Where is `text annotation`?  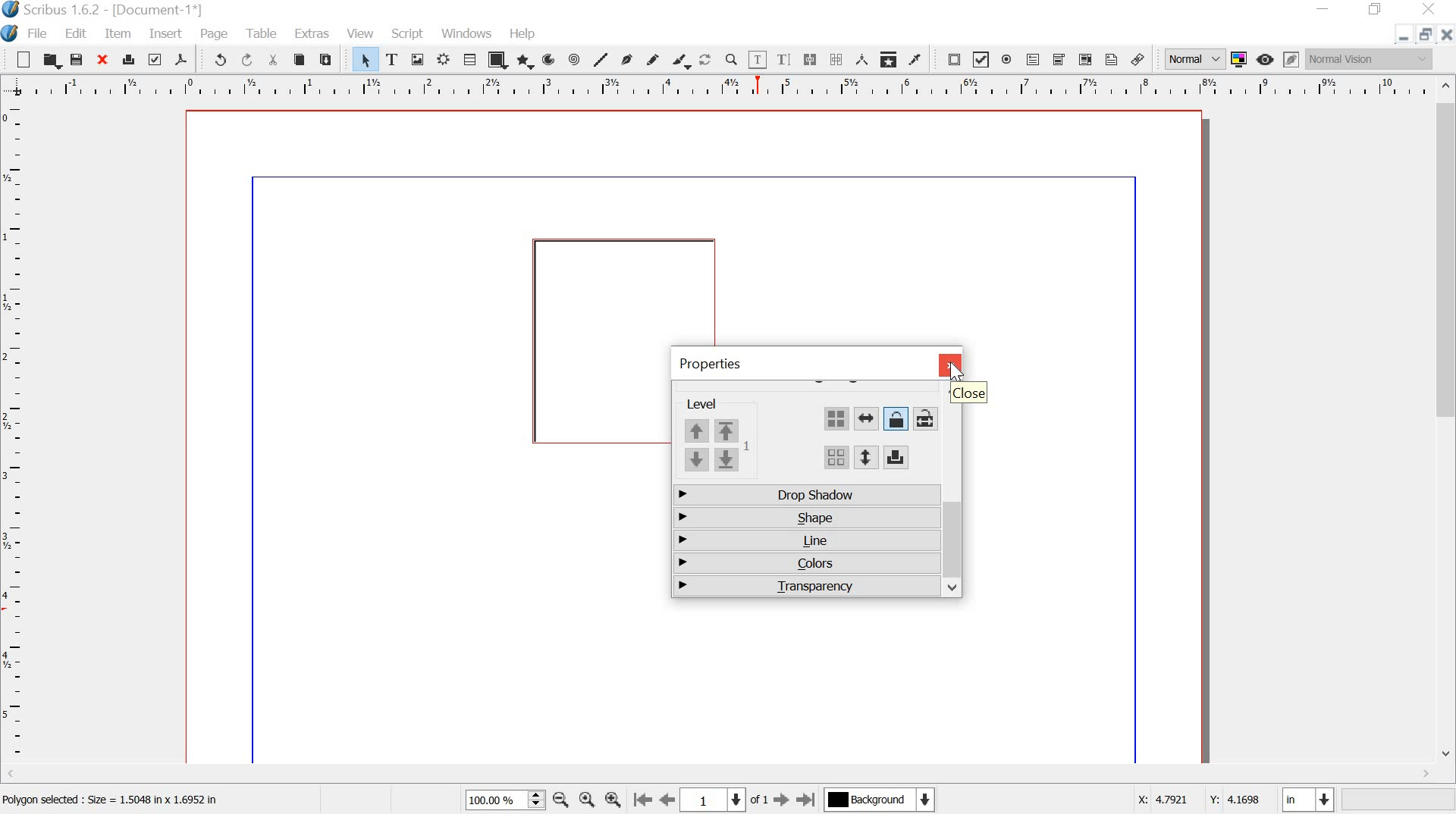 text annotation is located at coordinates (1112, 61).